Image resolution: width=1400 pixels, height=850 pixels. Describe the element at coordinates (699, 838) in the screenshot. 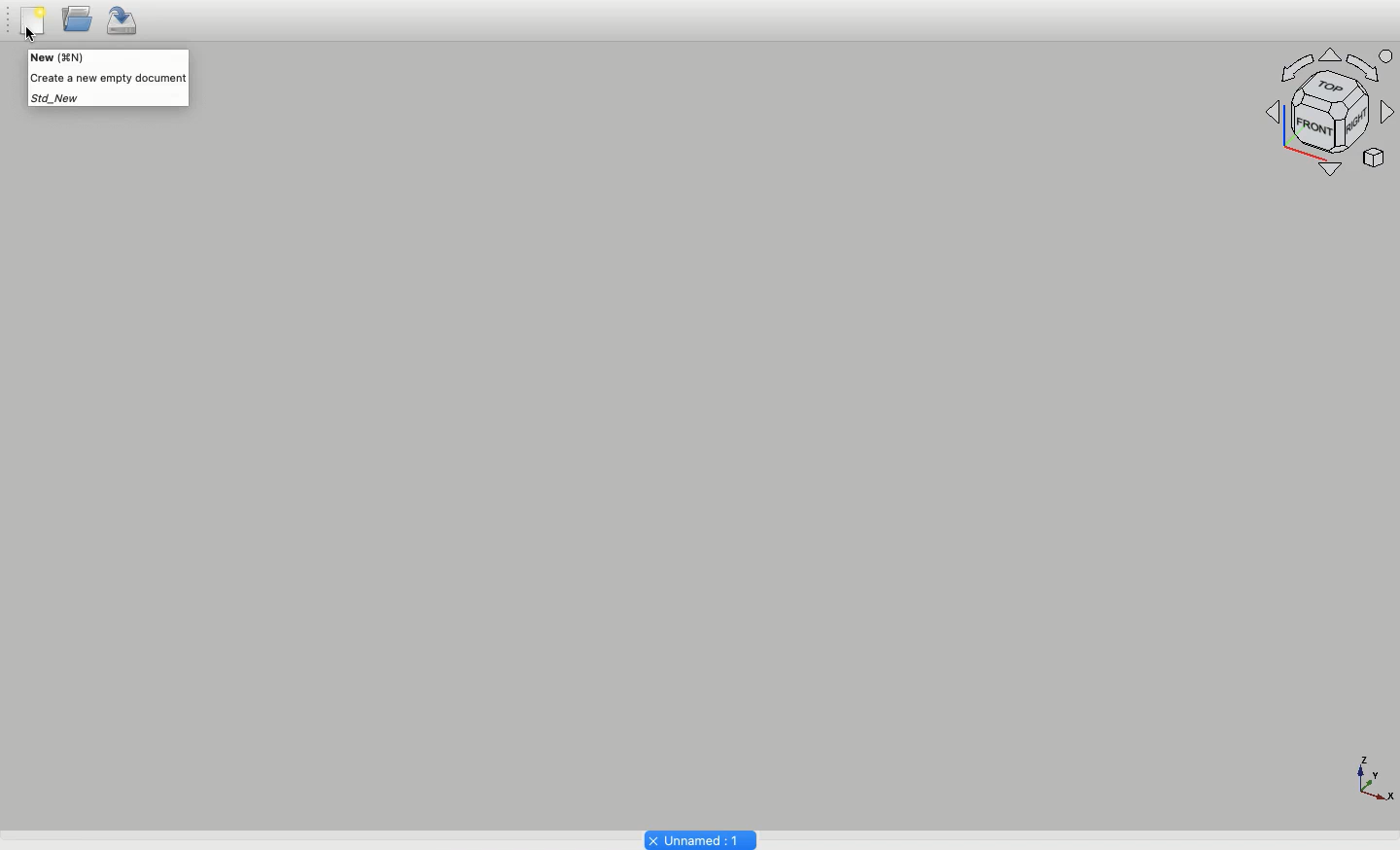

I see `Project name` at that location.